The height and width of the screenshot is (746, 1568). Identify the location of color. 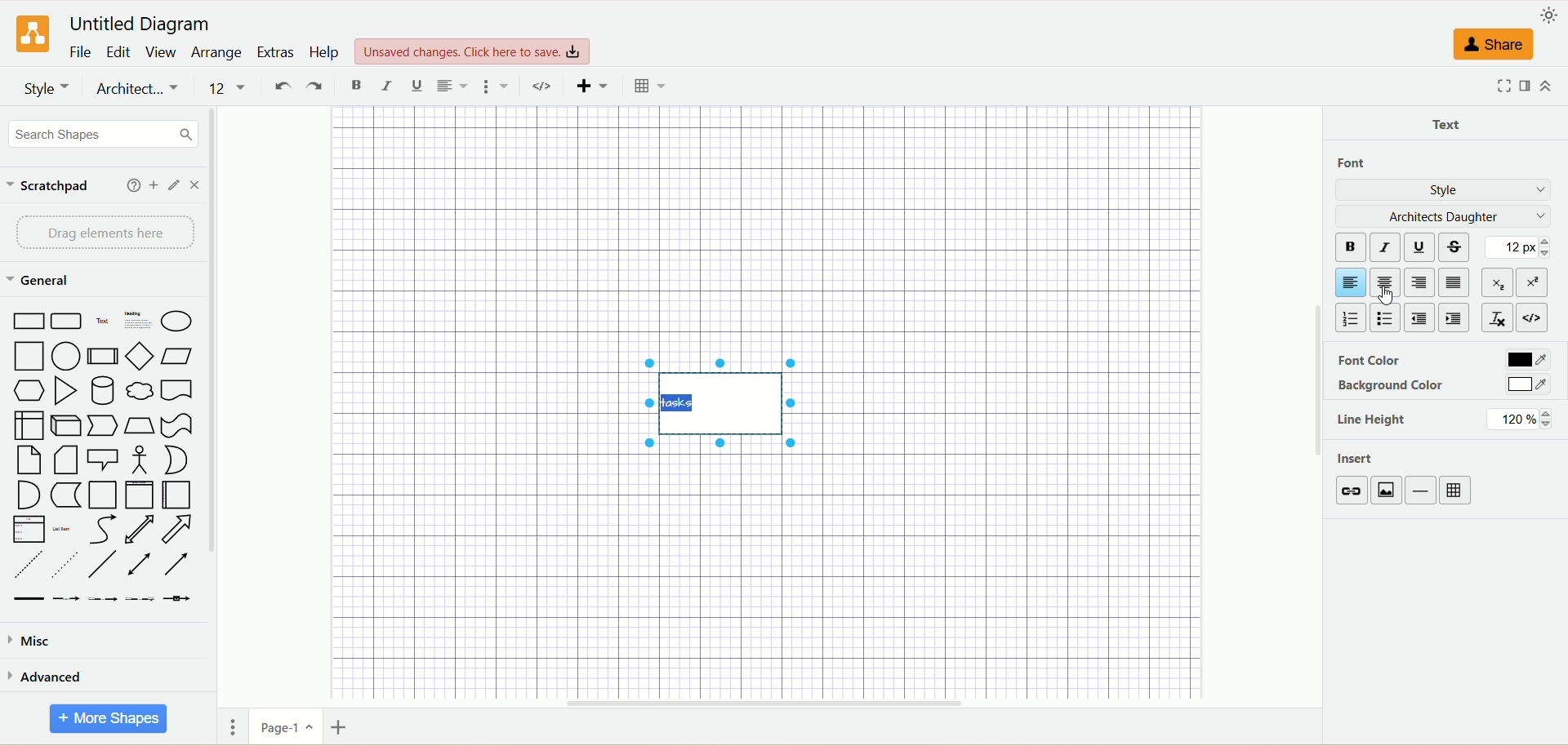
(1528, 384).